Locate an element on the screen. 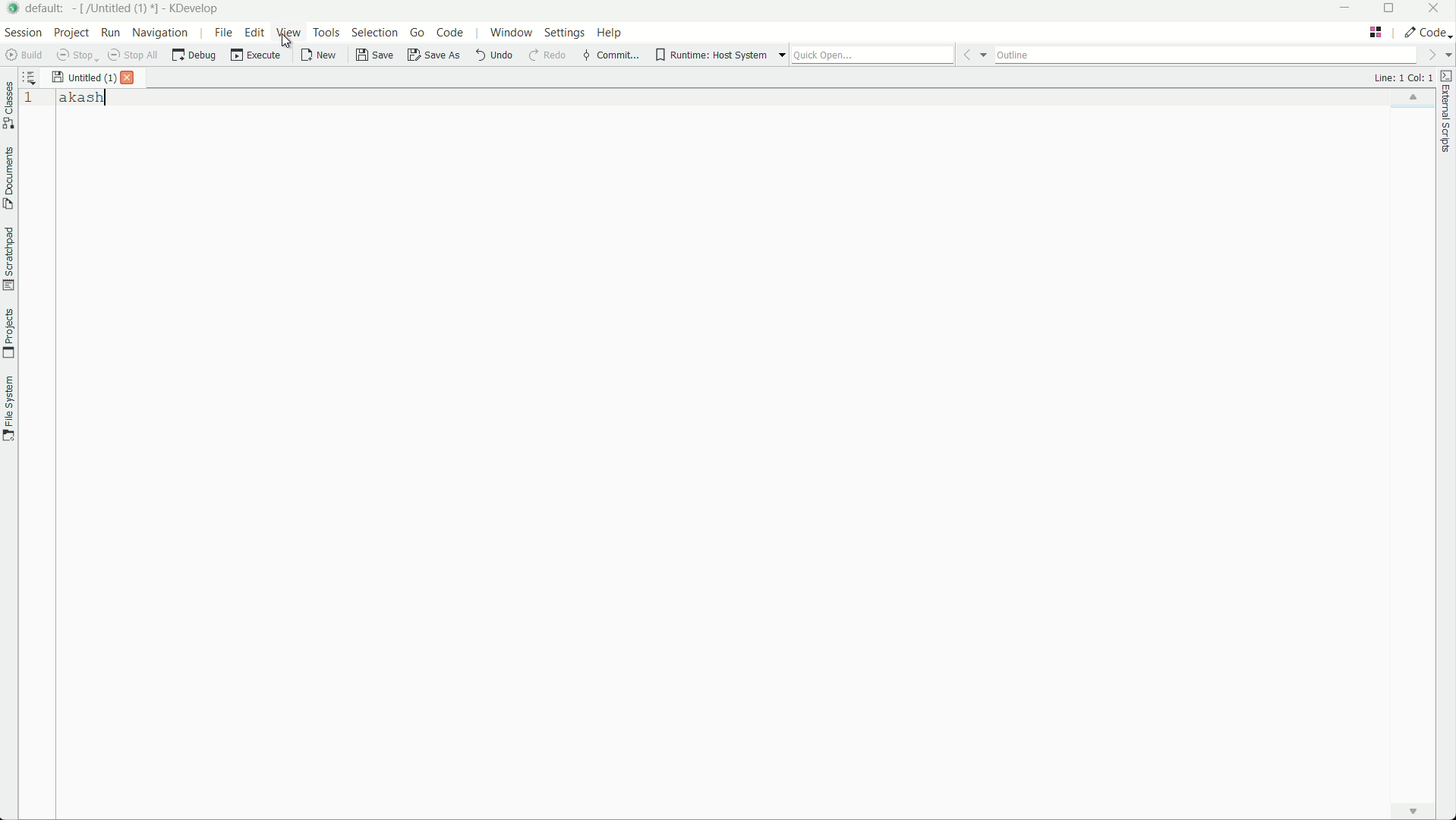 The height and width of the screenshot is (820, 1456). stop all is located at coordinates (134, 56).